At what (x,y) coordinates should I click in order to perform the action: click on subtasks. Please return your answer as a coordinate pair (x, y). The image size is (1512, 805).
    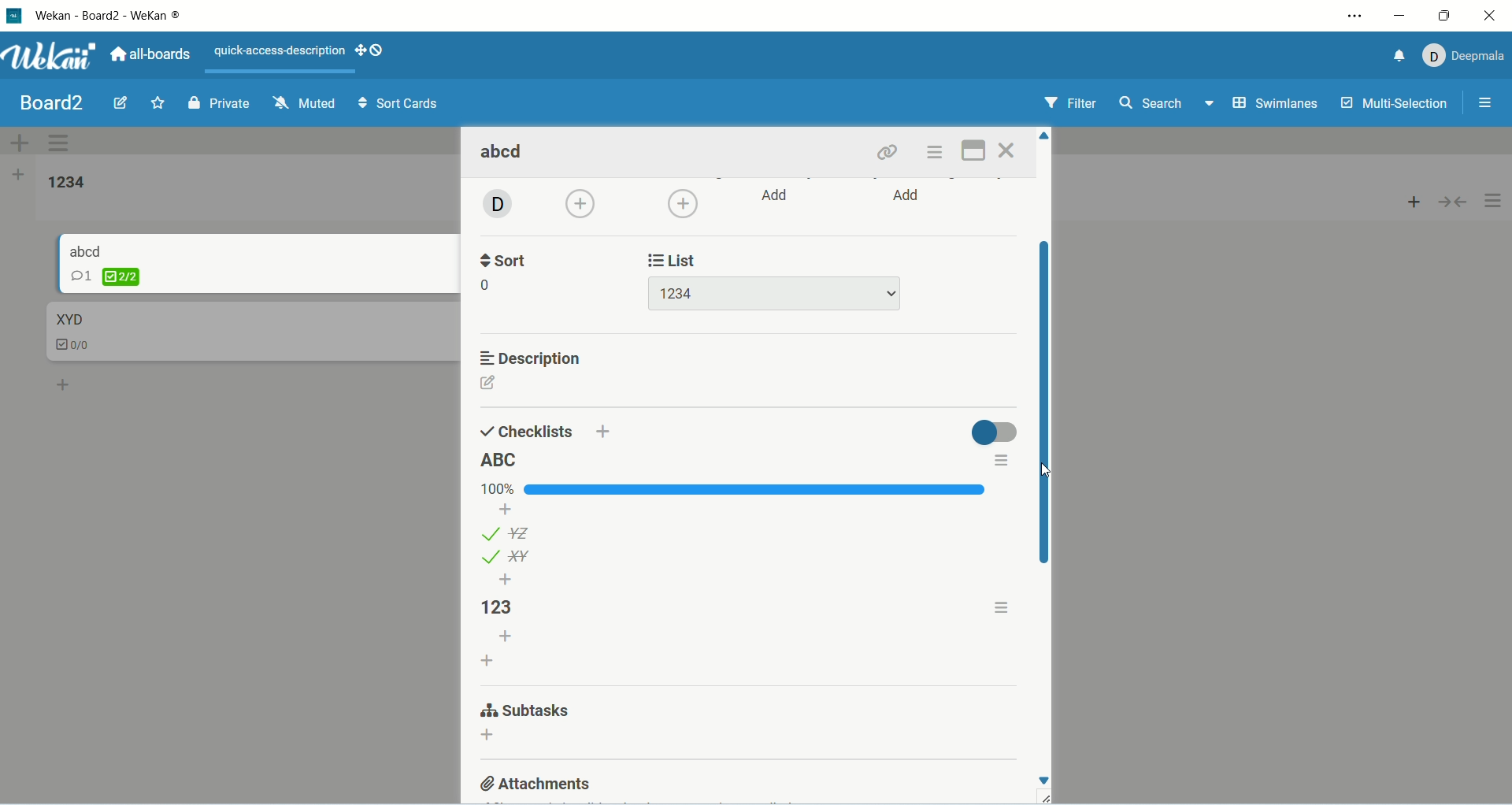
    Looking at the image, I should click on (524, 712).